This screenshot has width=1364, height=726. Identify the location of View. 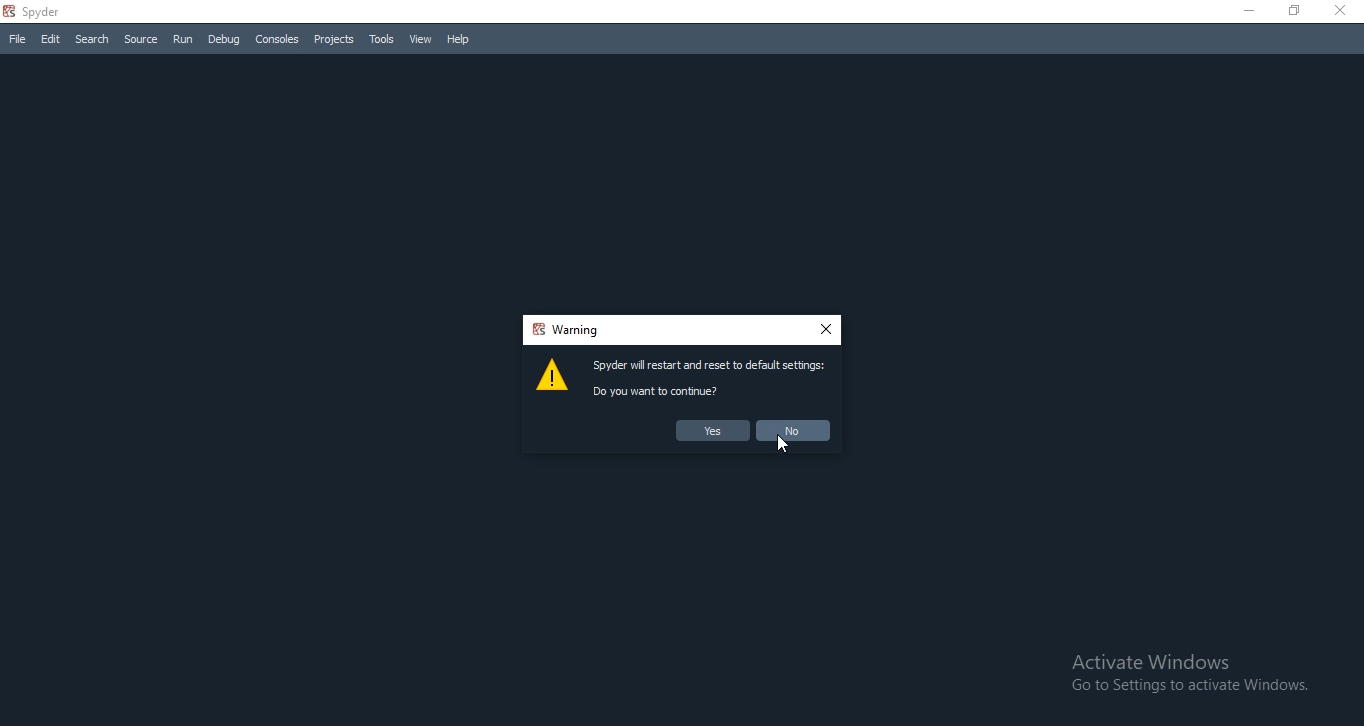
(420, 41).